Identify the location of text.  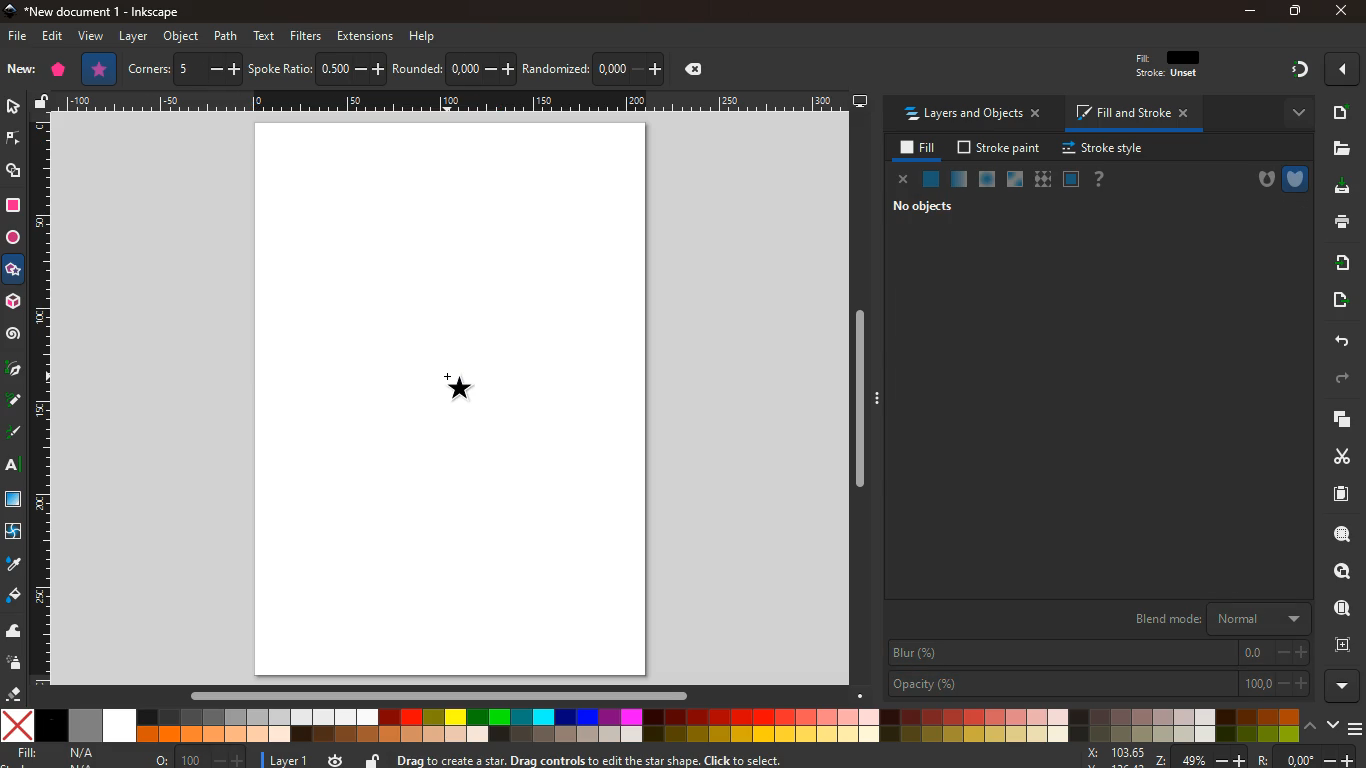
(266, 36).